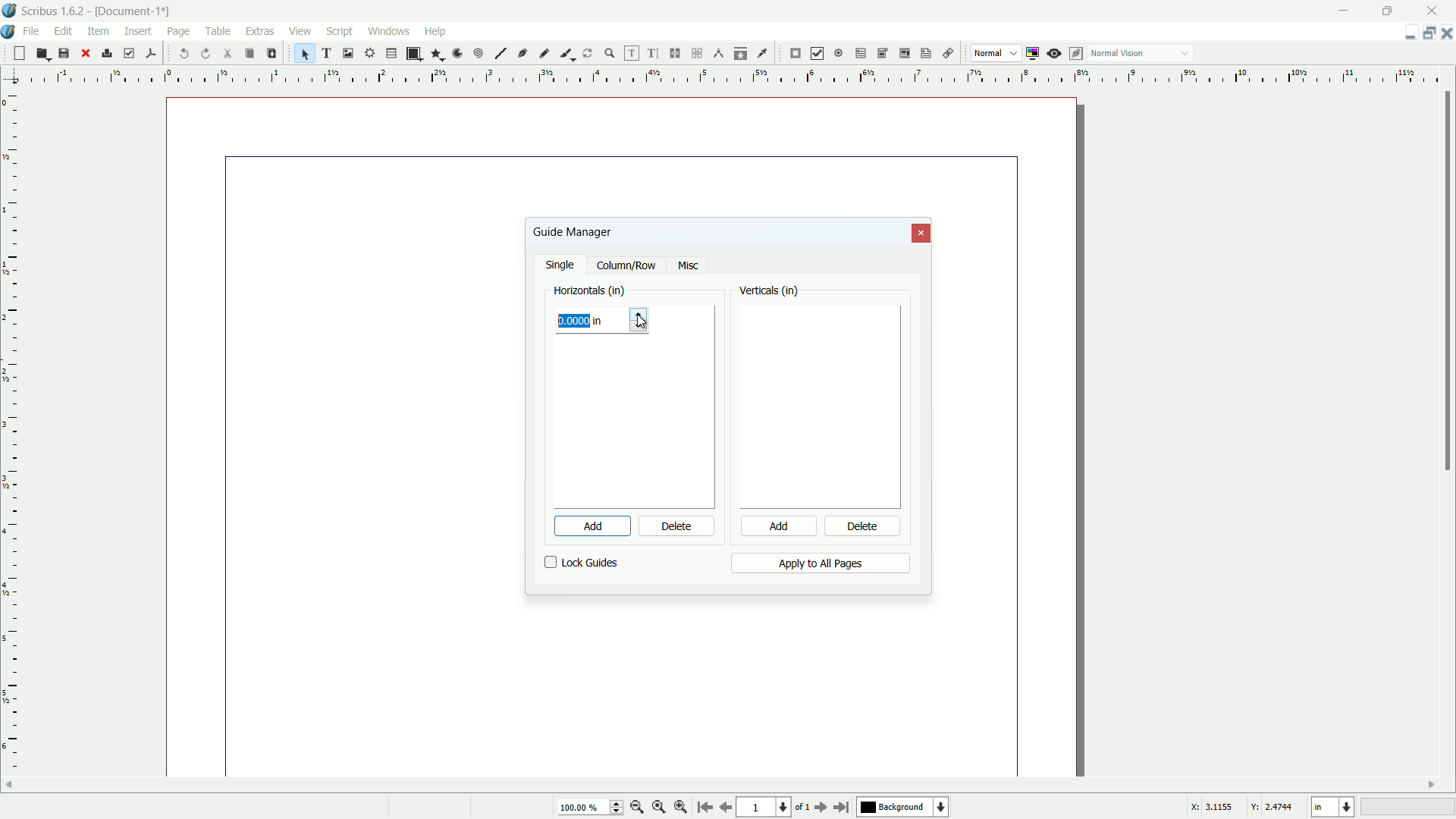  I want to click on cursor, so click(178, 42).